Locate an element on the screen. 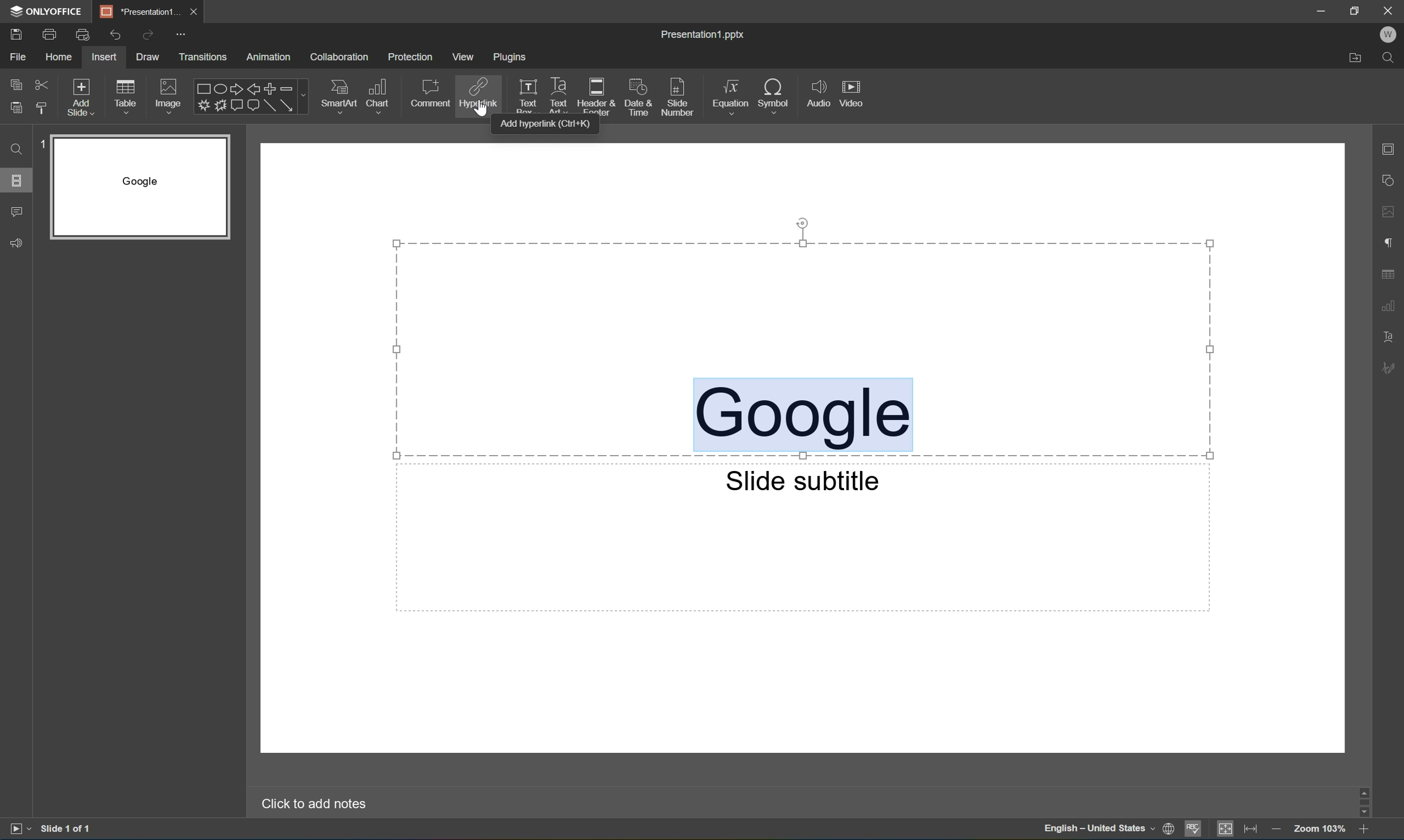  Find is located at coordinates (1390, 57).